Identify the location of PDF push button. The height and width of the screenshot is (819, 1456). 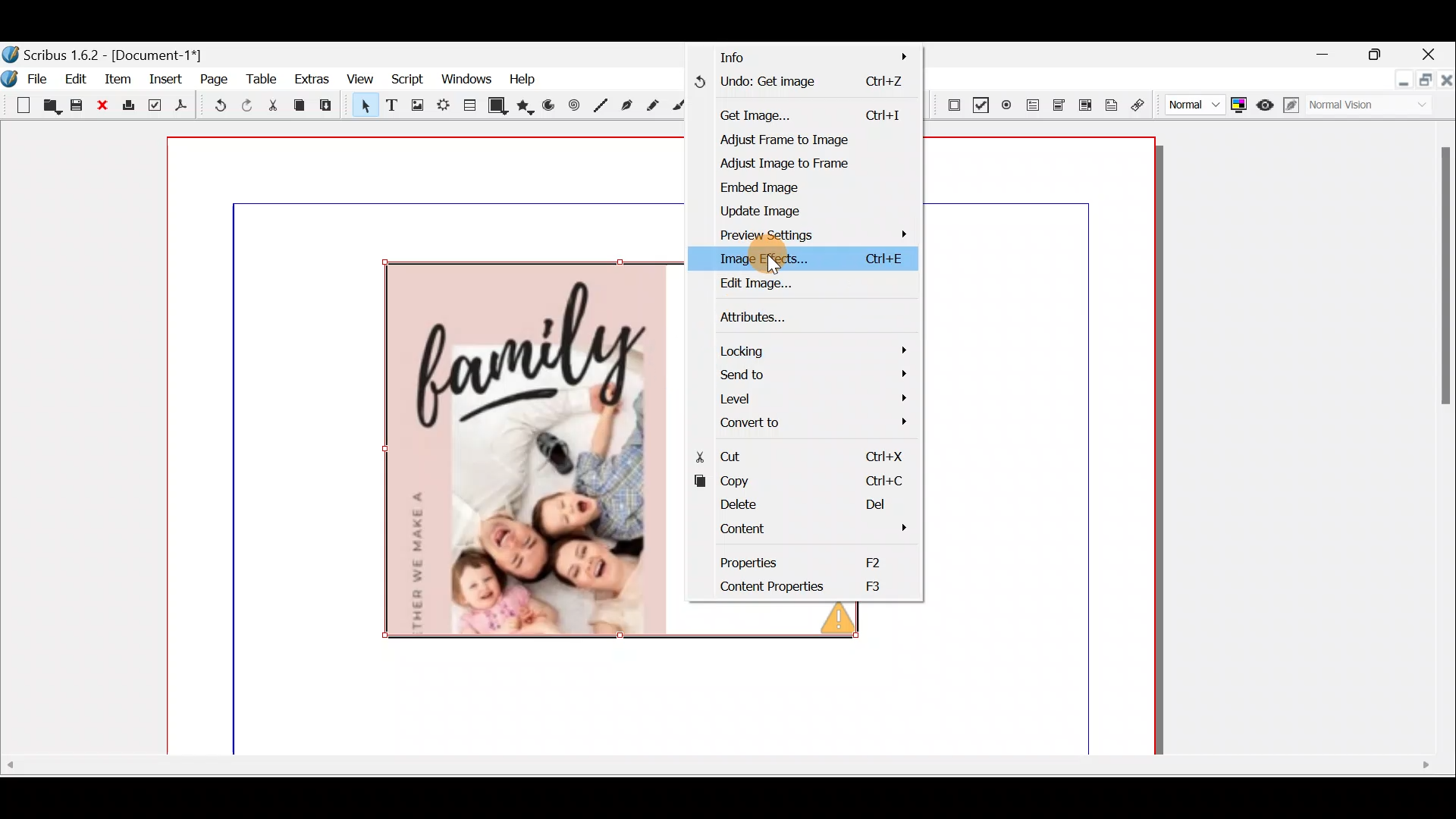
(949, 103).